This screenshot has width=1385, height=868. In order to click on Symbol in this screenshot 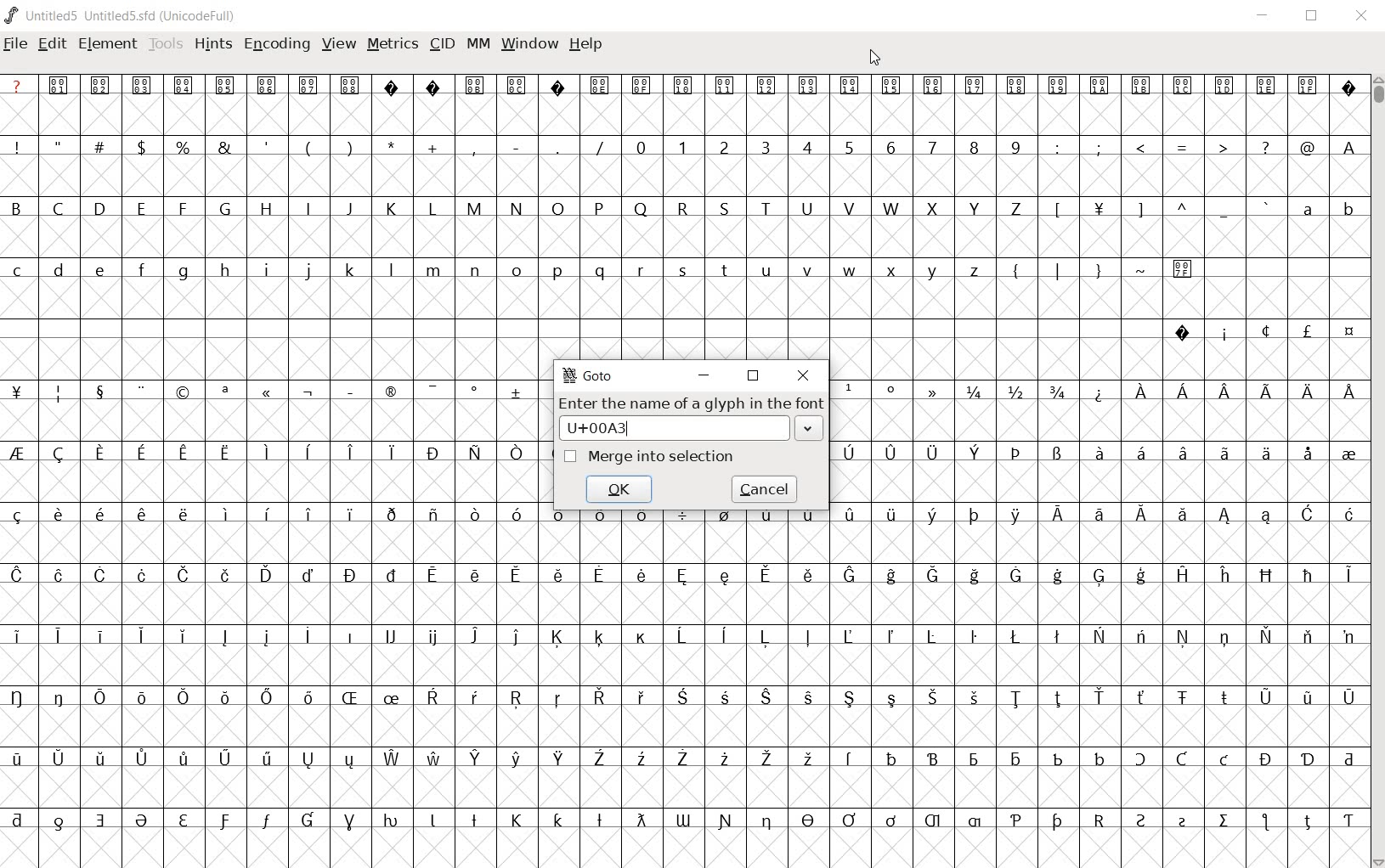, I will do `click(890, 636)`.